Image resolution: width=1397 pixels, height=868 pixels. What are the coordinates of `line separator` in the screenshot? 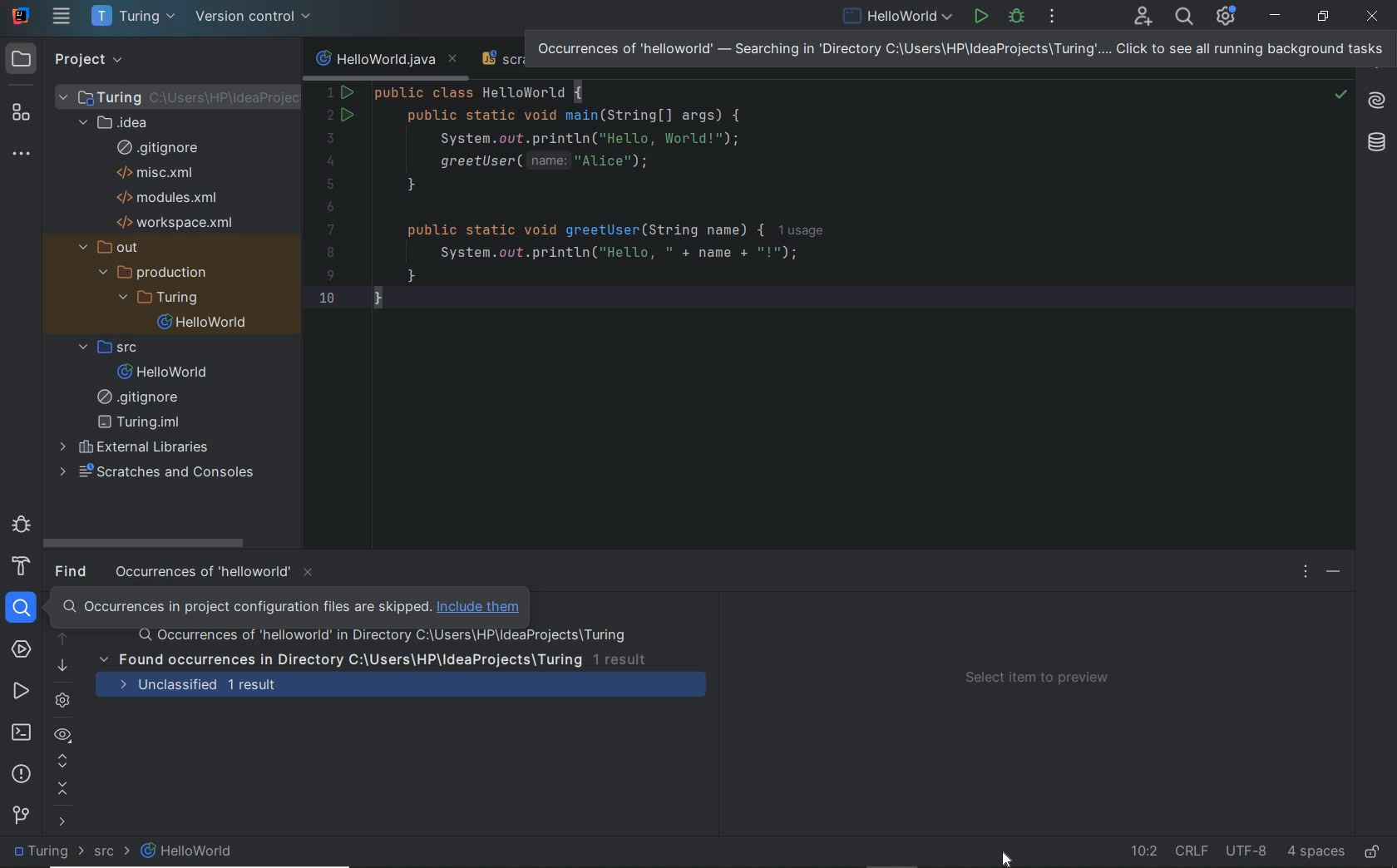 It's located at (1194, 851).